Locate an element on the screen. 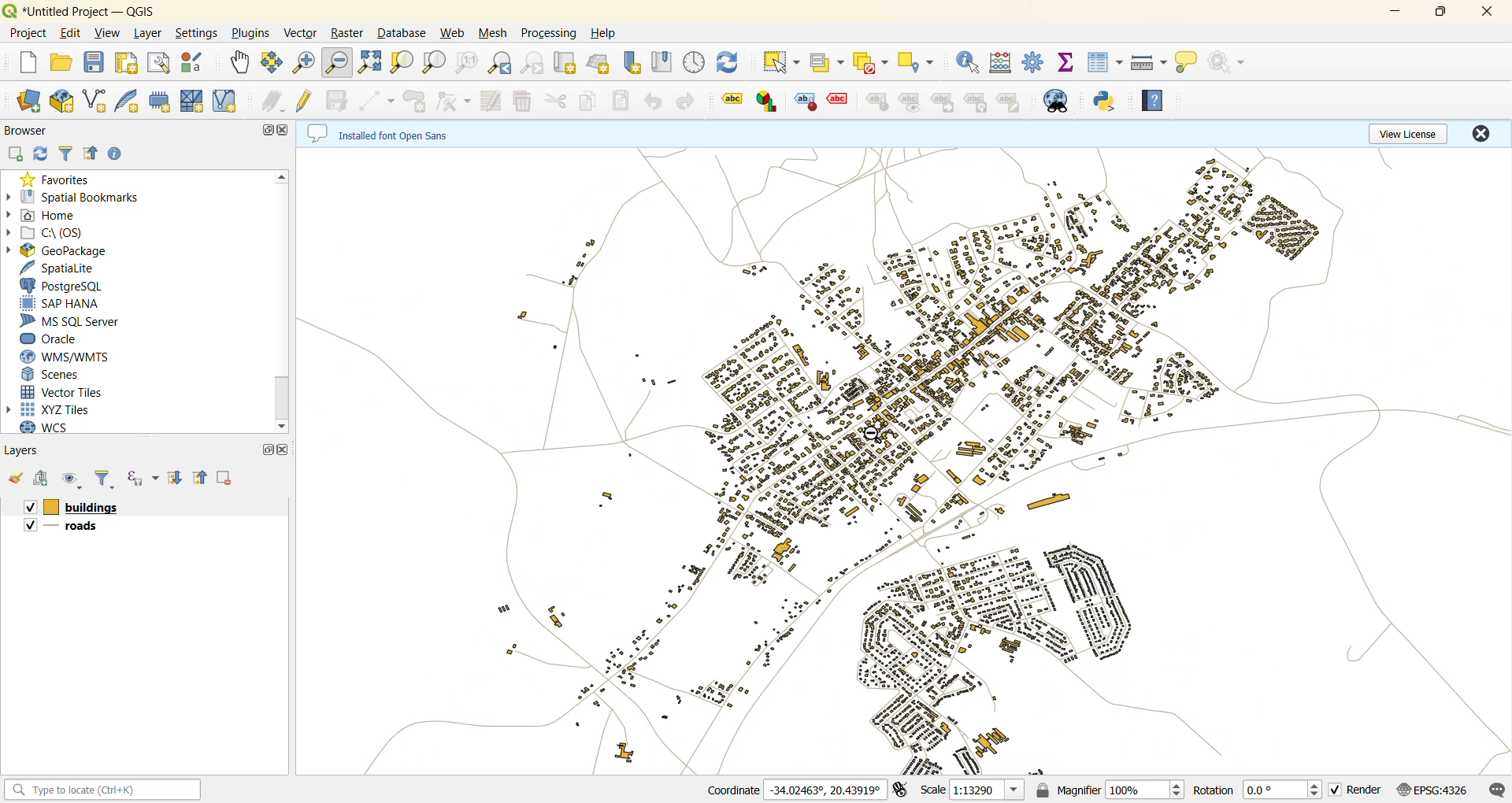 This screenshot has width=1512, height=803. zoom in is located at coordinates (308, 61).